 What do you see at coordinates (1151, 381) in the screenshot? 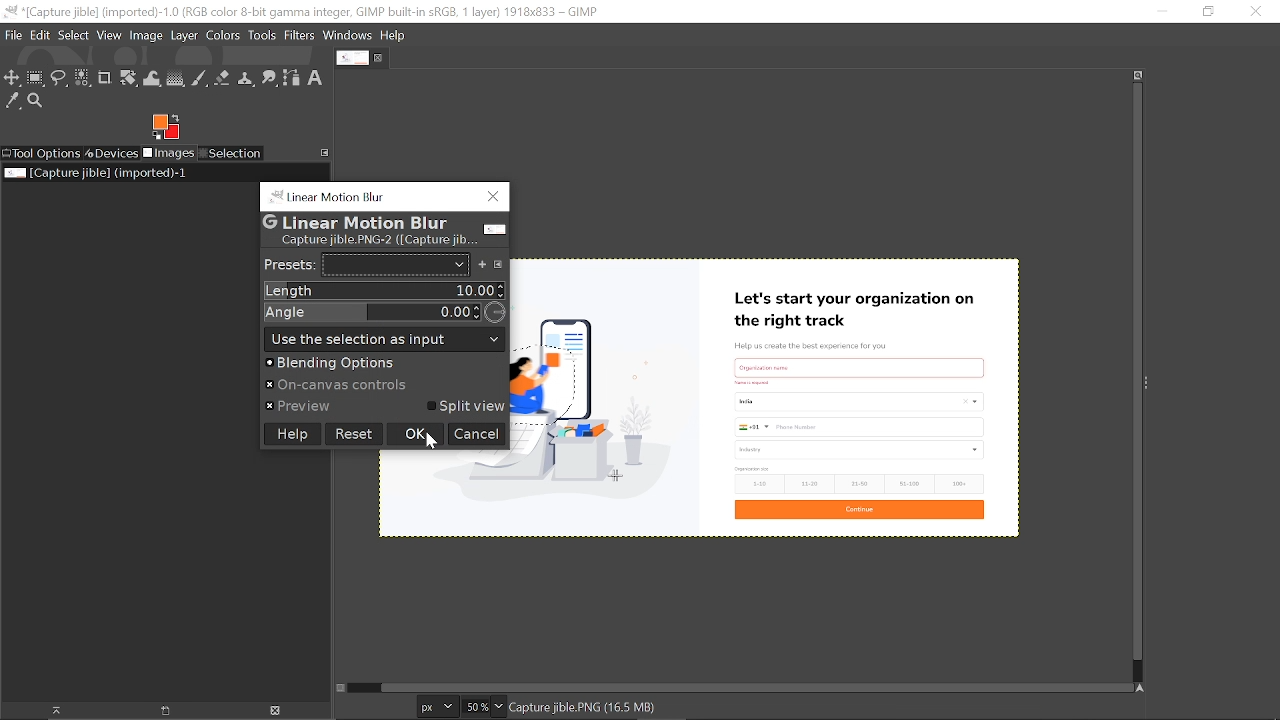
I see `Sidebar menu` at bounding box center [1151, 381].